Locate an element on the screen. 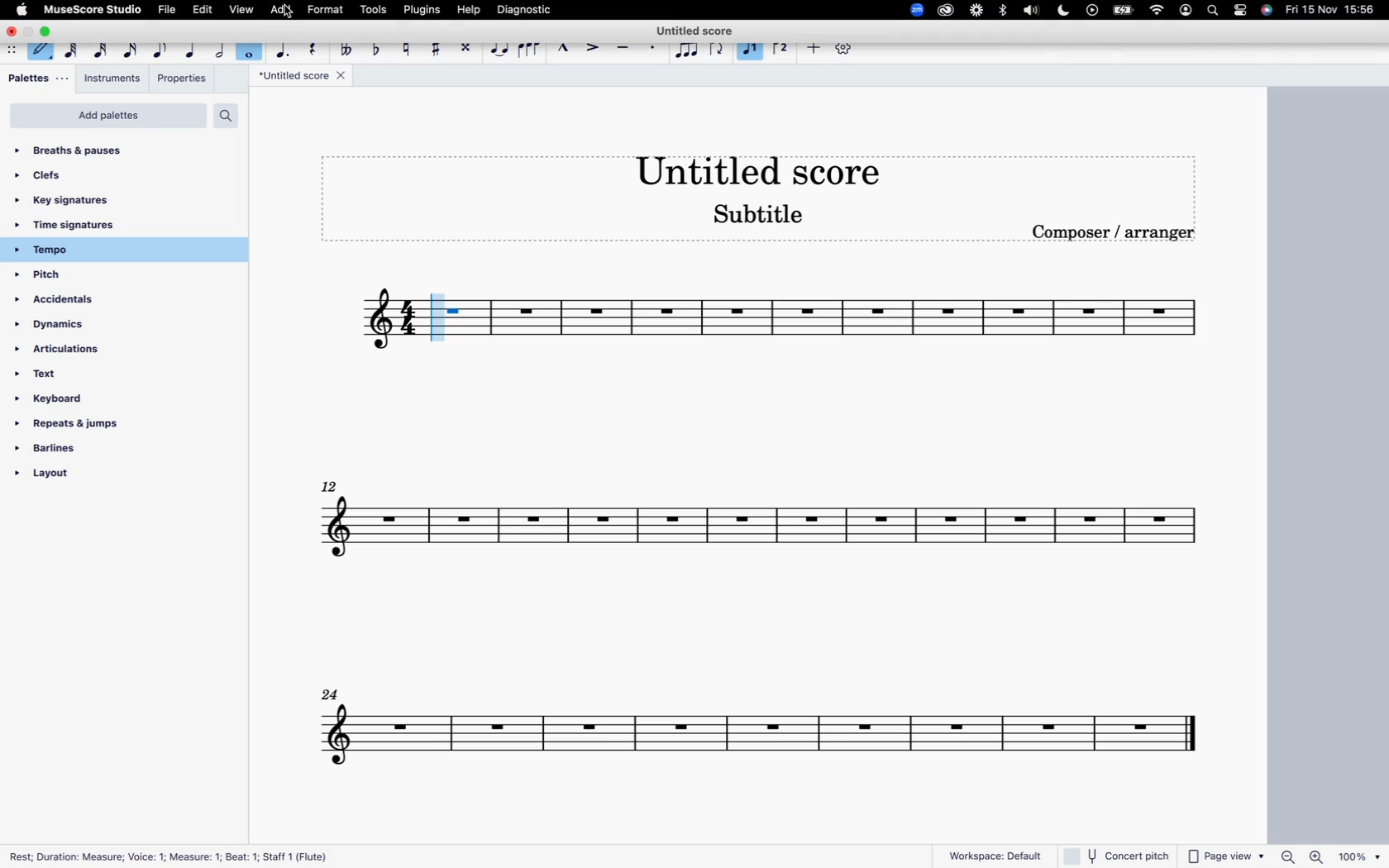  score title is located at coordinates (761, 169).